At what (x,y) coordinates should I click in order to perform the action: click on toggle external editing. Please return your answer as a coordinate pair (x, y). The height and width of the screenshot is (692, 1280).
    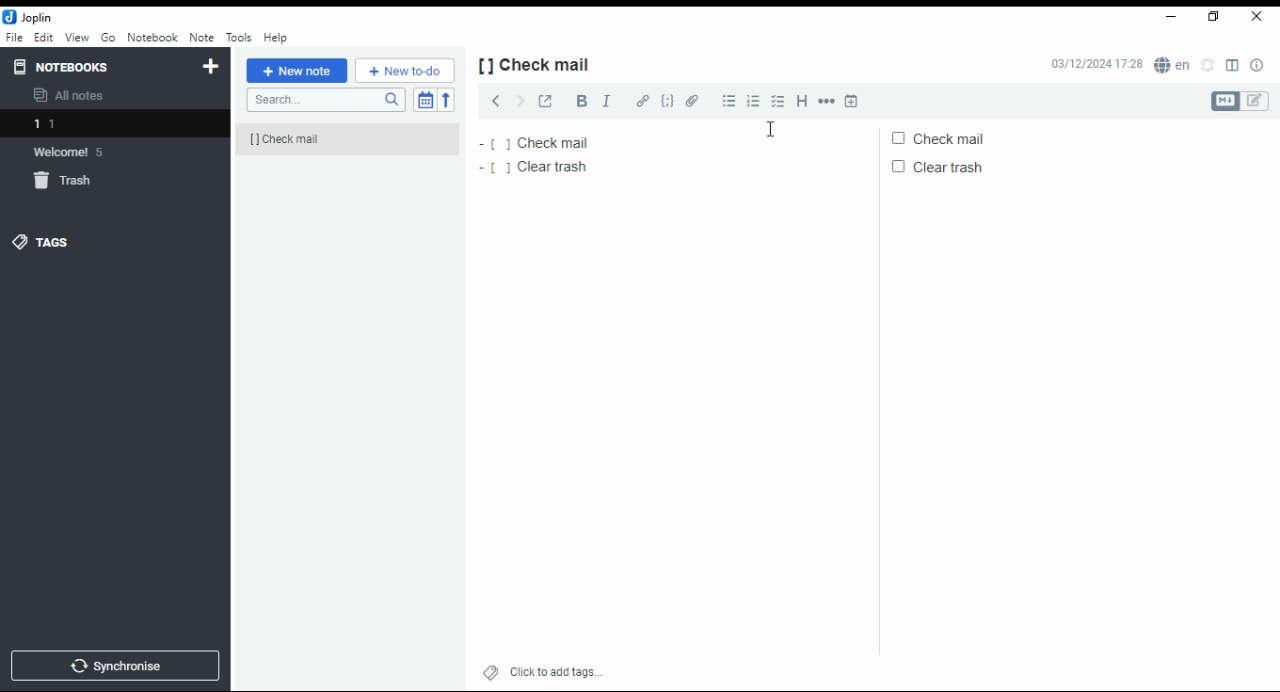
    Looking at the image, I should click on (545, 101).